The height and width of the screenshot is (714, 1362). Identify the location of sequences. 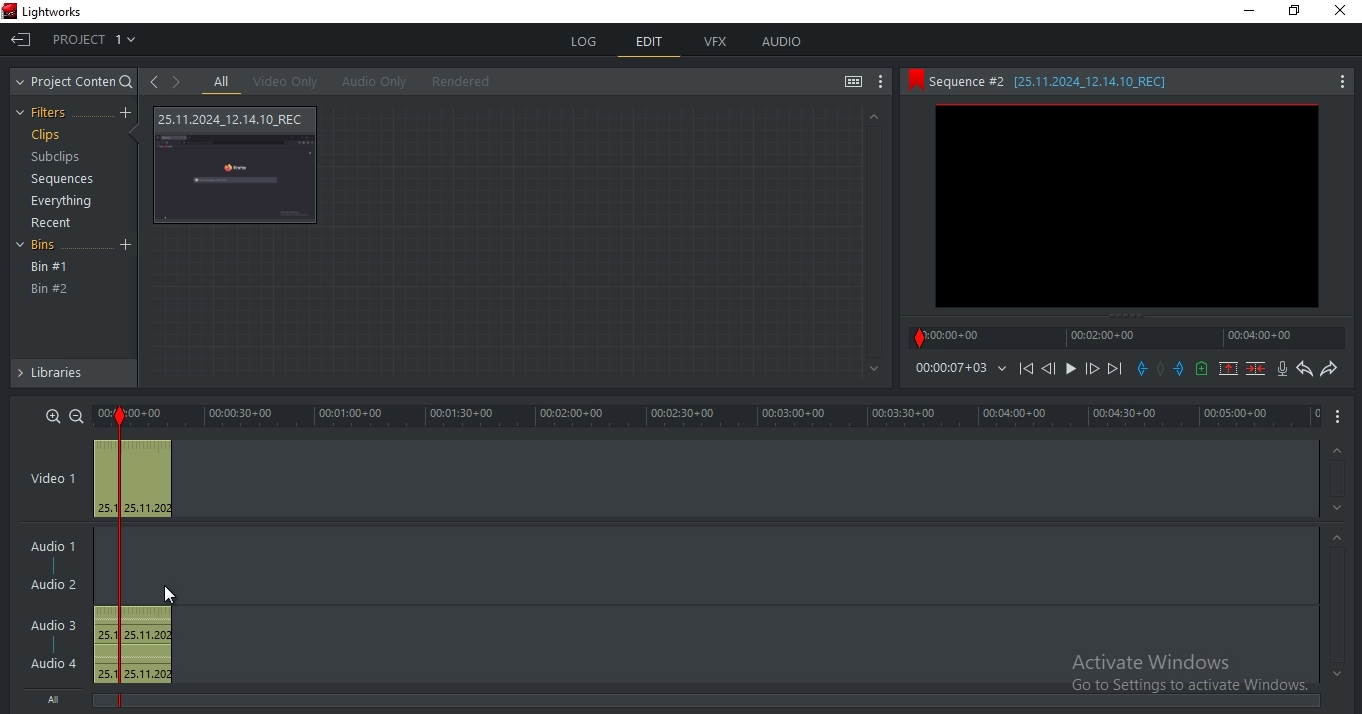
(57, 181).